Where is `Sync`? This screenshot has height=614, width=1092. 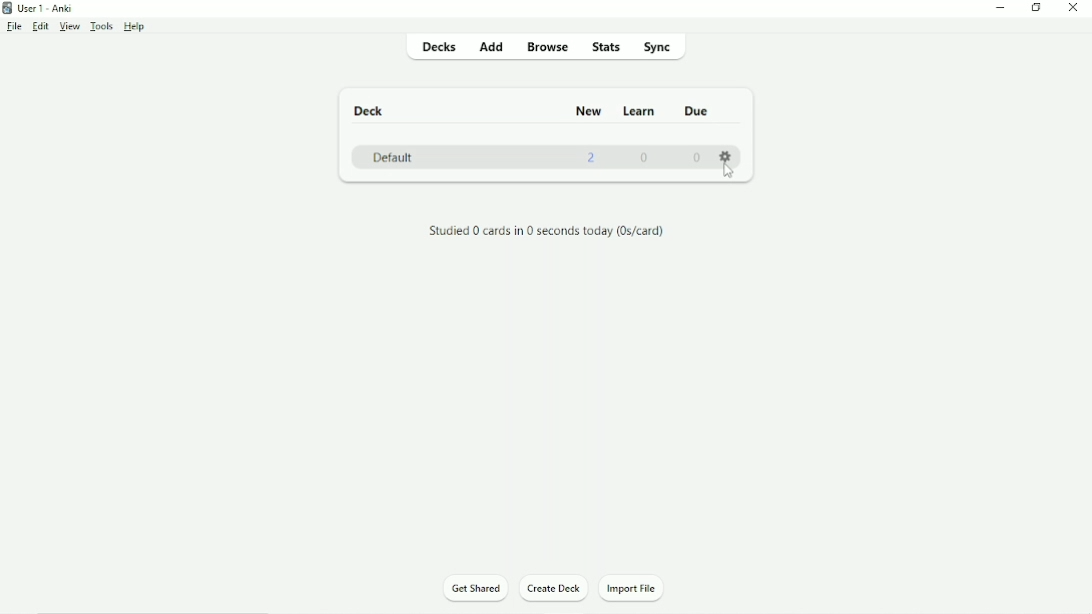
Sync is located at coordinates (657, 46).